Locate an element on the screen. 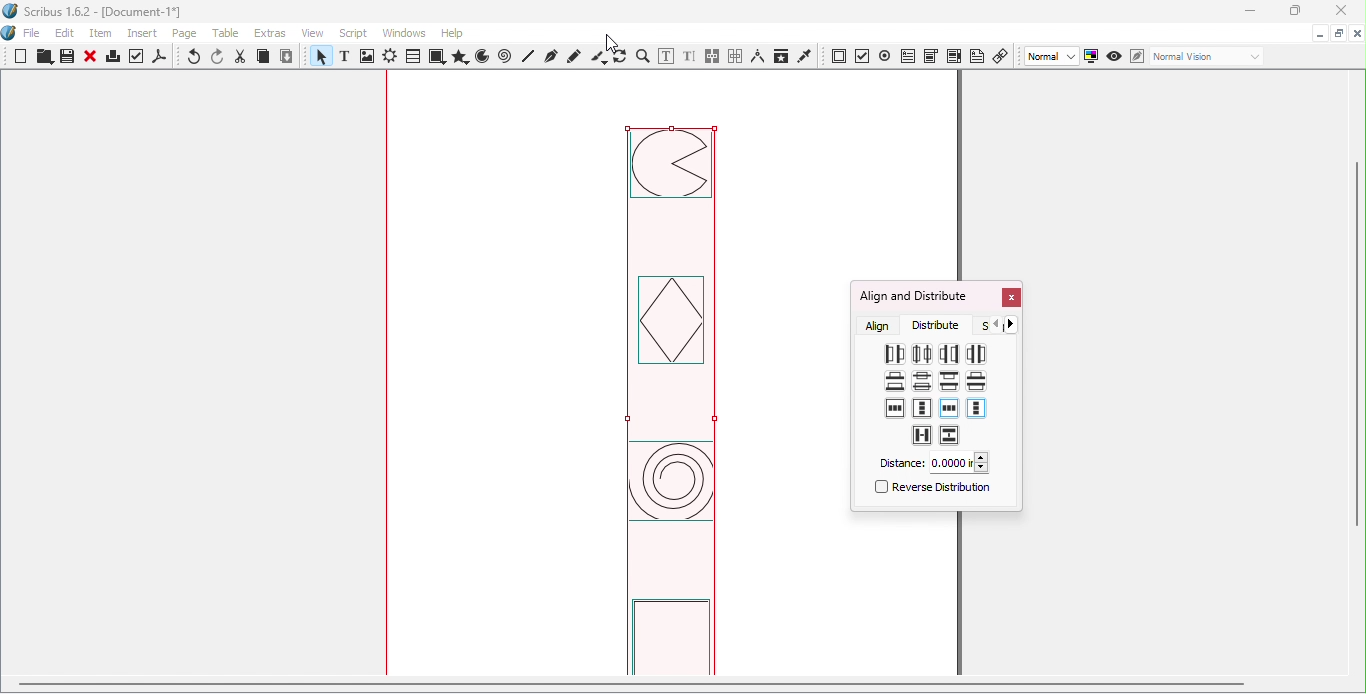  Image frame is located at coordinates (369, 58).